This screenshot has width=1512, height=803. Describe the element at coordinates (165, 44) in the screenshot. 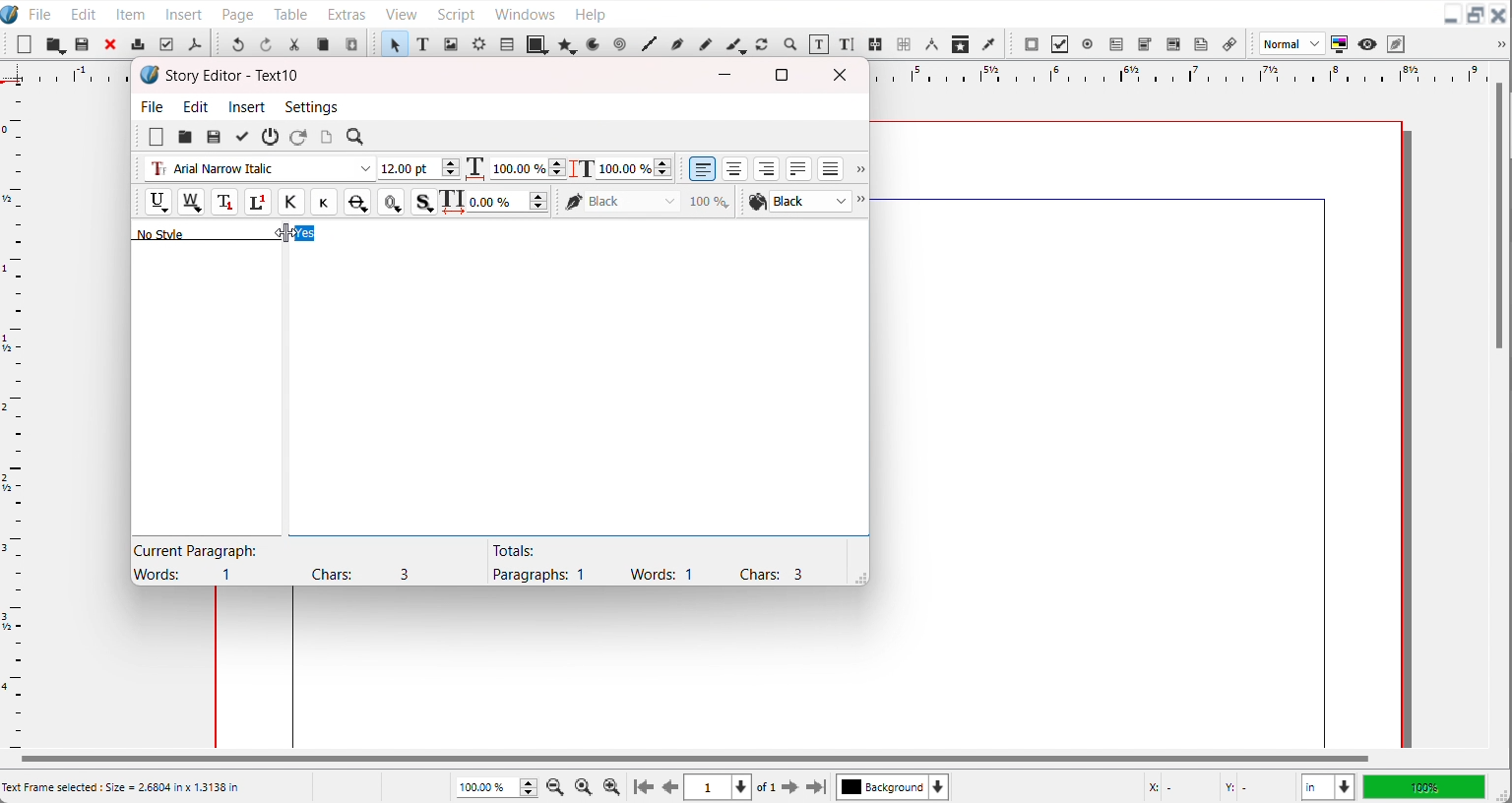

I see `Preflight verifier` at that location.